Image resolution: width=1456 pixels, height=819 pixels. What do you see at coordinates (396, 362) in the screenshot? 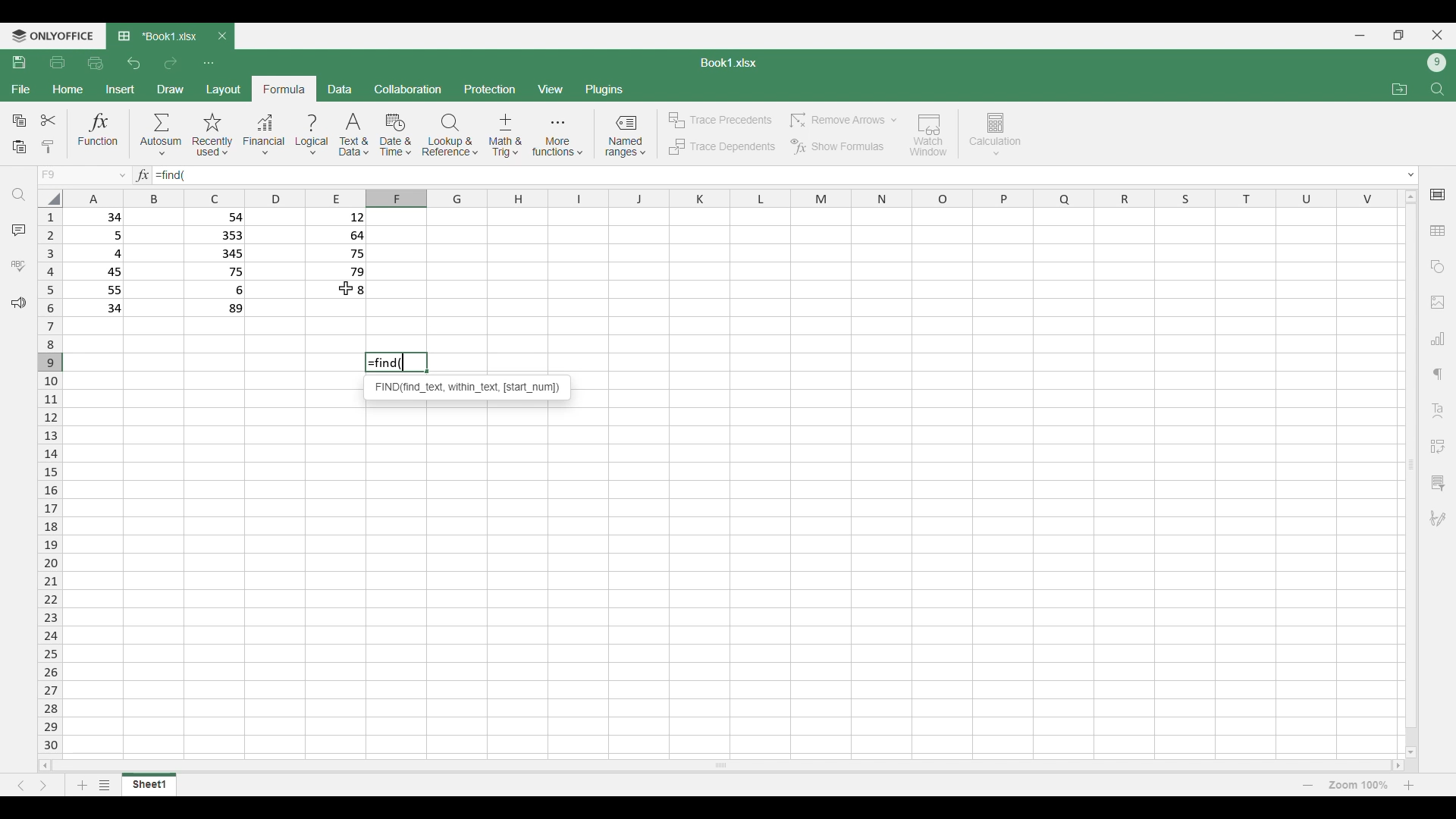
I see `Find function typed in` at bounding box center [396, 362].